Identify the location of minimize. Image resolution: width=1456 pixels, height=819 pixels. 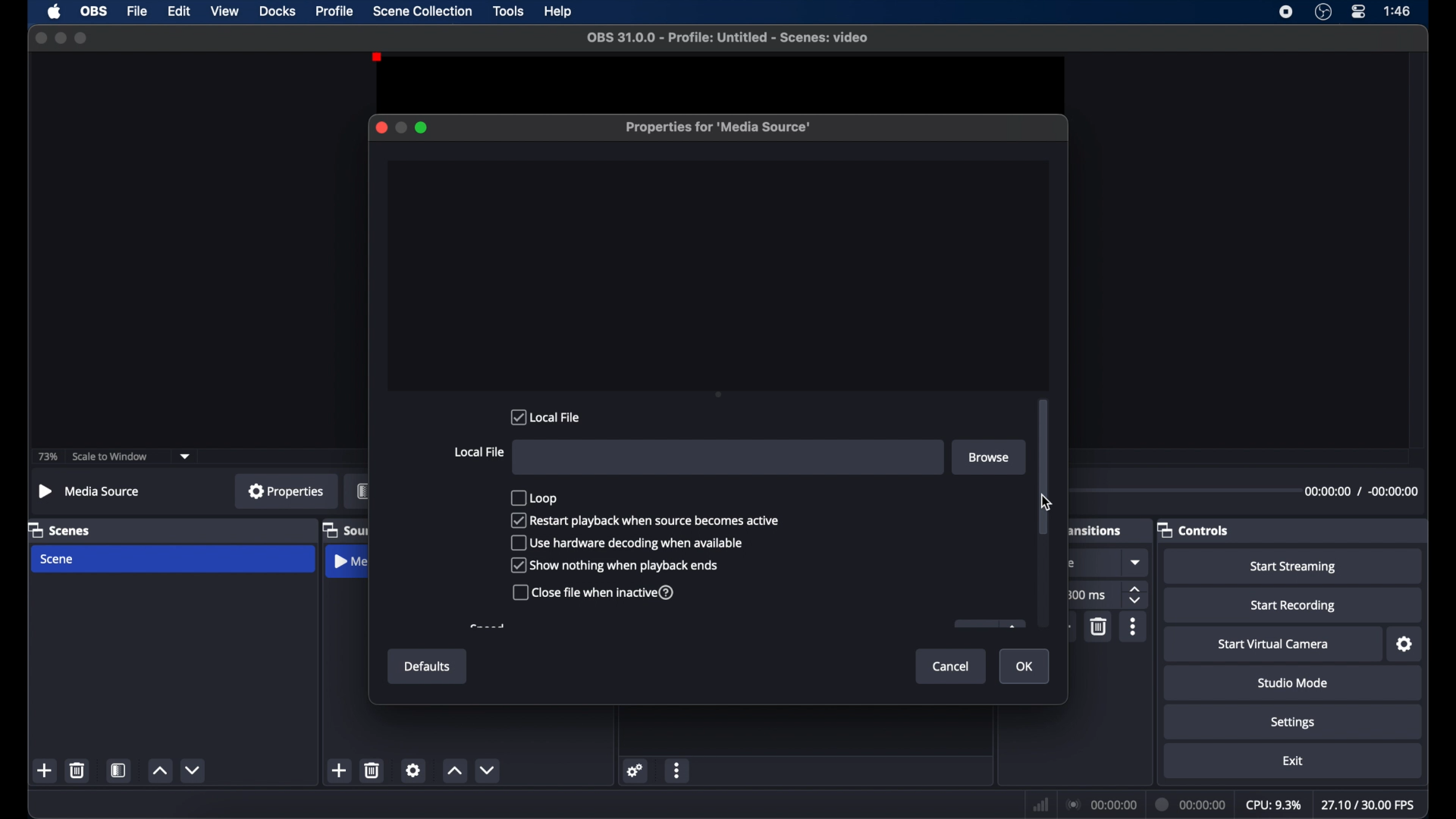
(60, 38).